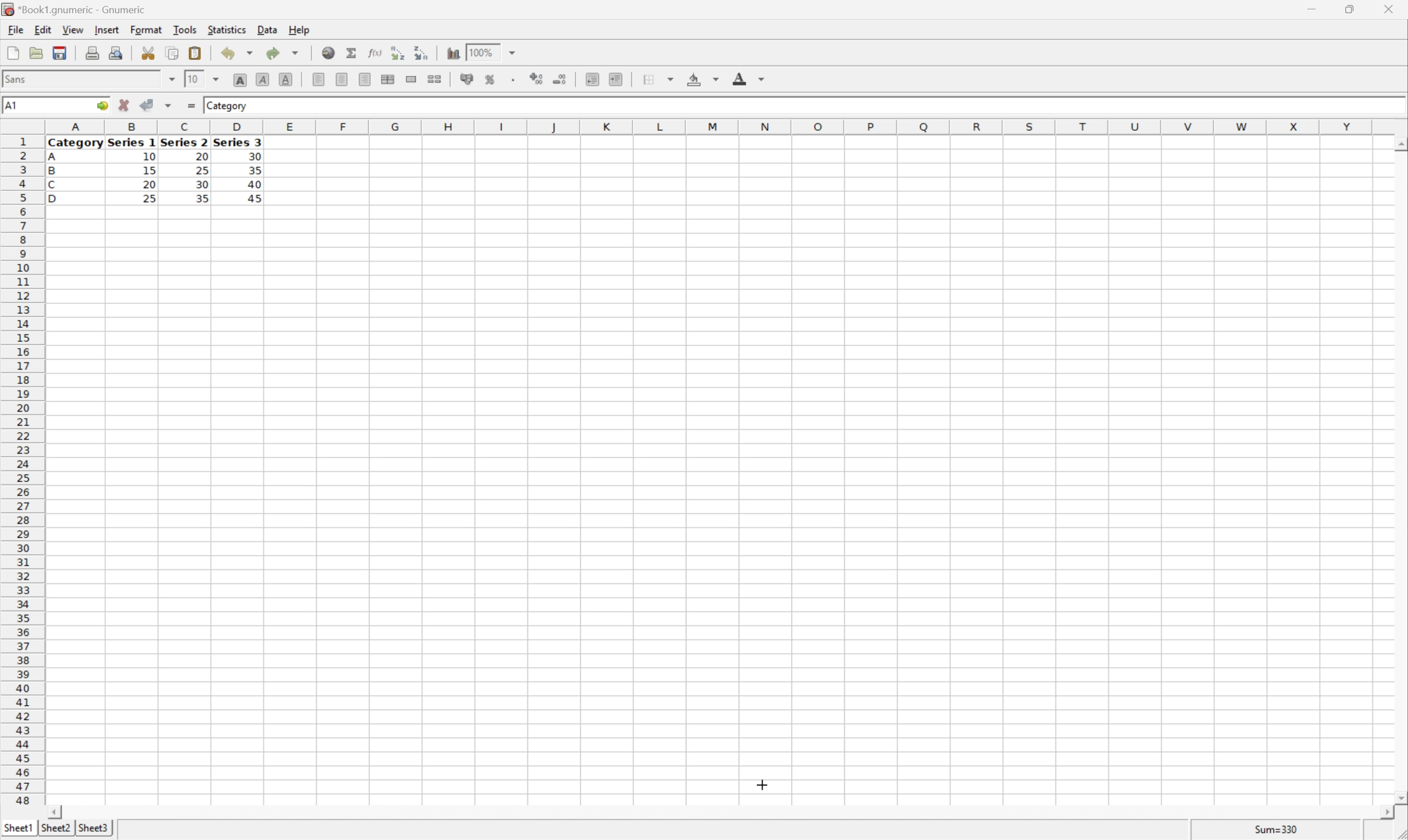  I want to click on Accept changes in multiple cells, so click(168, 105).